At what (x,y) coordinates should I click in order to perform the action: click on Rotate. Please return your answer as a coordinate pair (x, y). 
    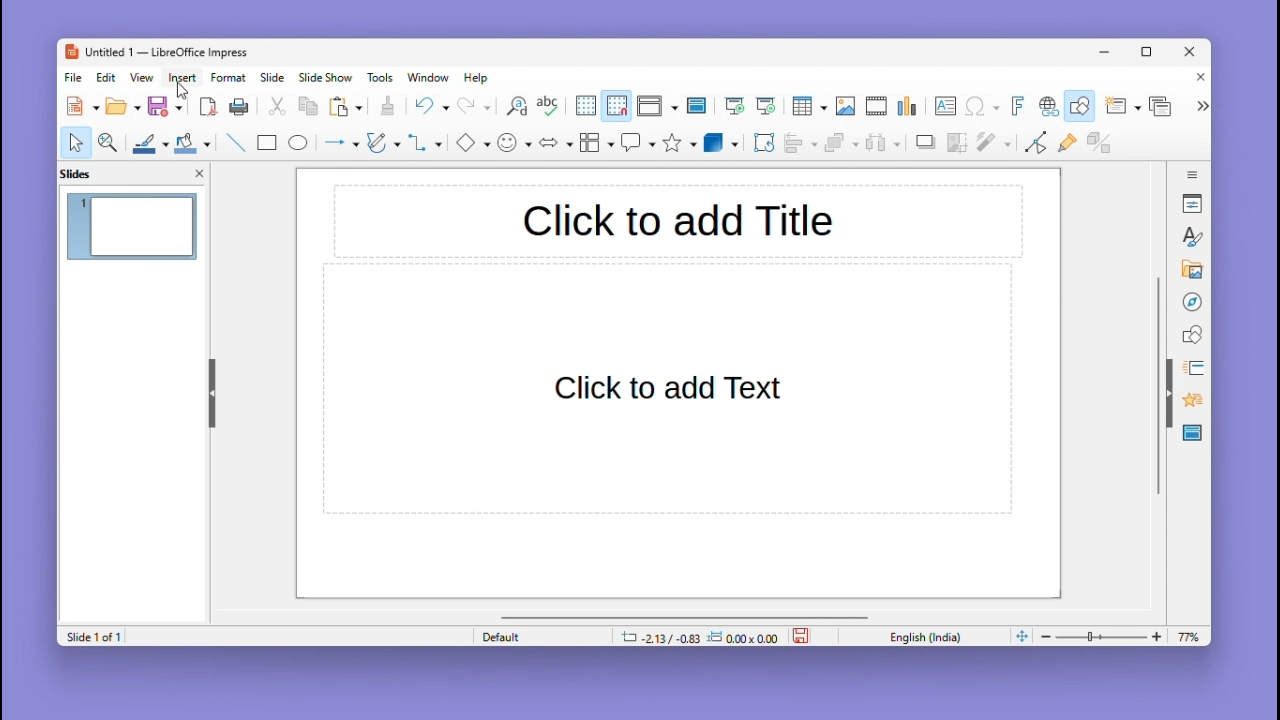
    Looking at the image, I should click on (762, 142).